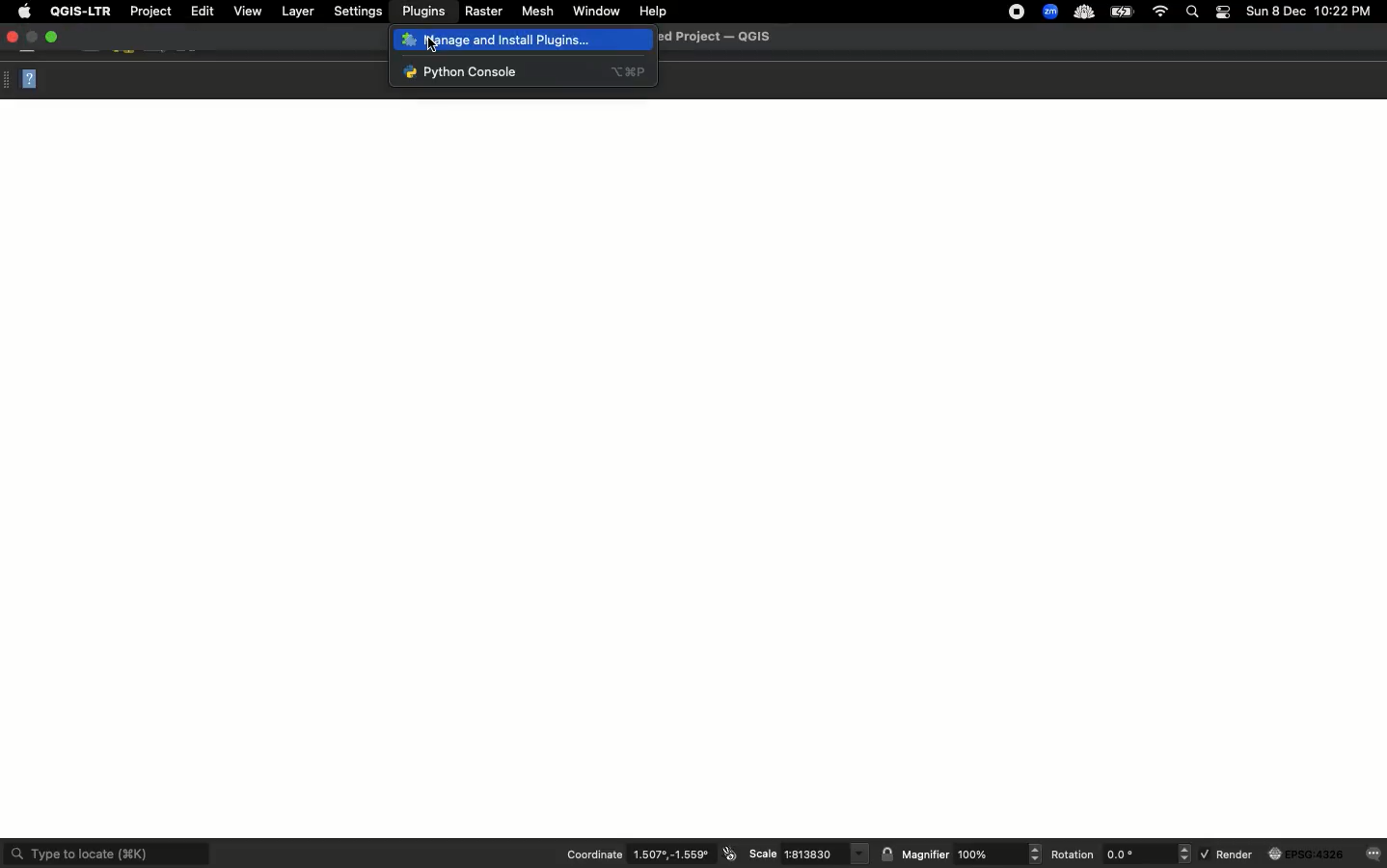  What do you see at coordinates (524, 71) in the screenshot?
I see `Python console` at bounding box center [524, 71].